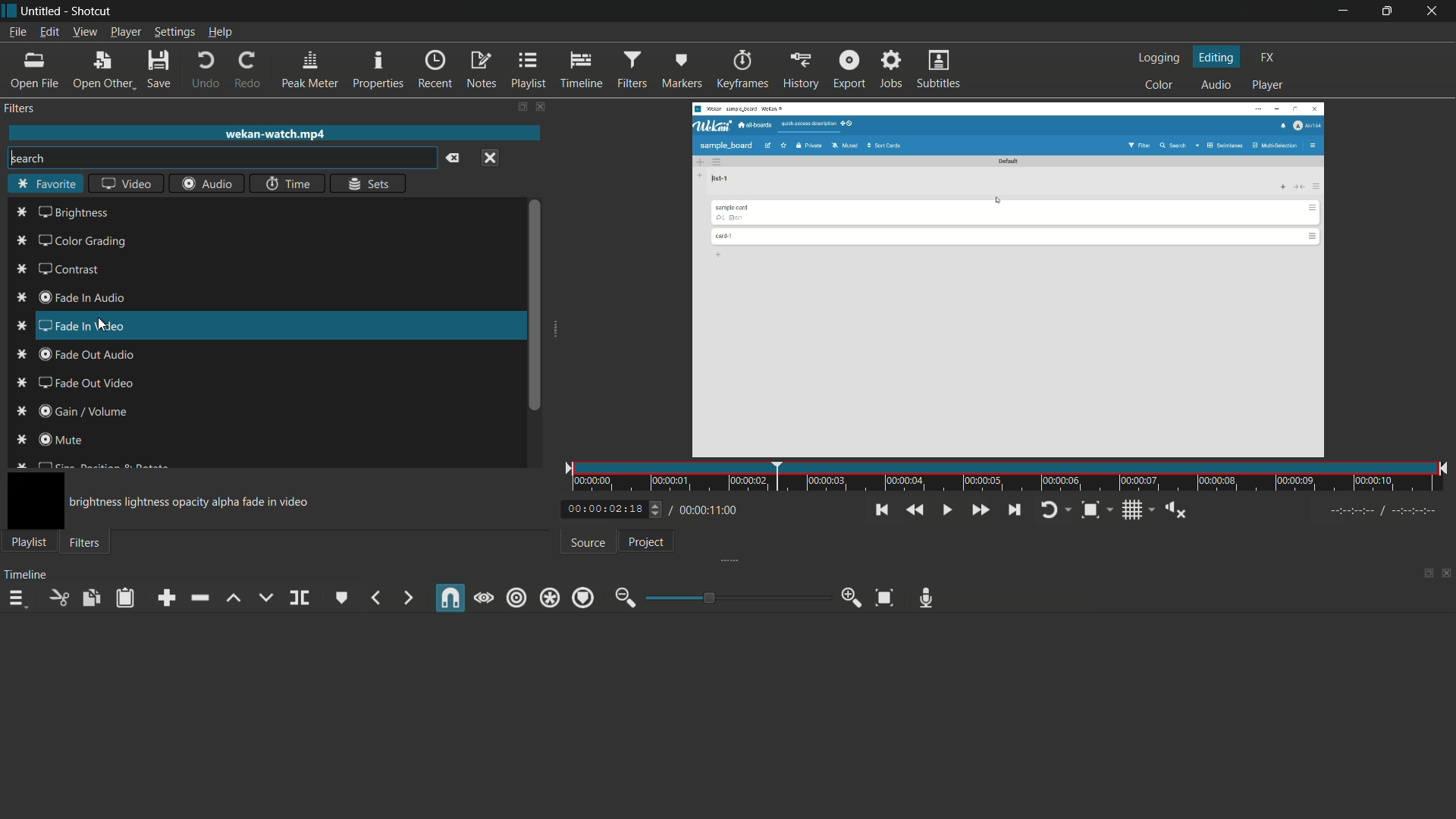  I want to click on export, so click(849, 69).